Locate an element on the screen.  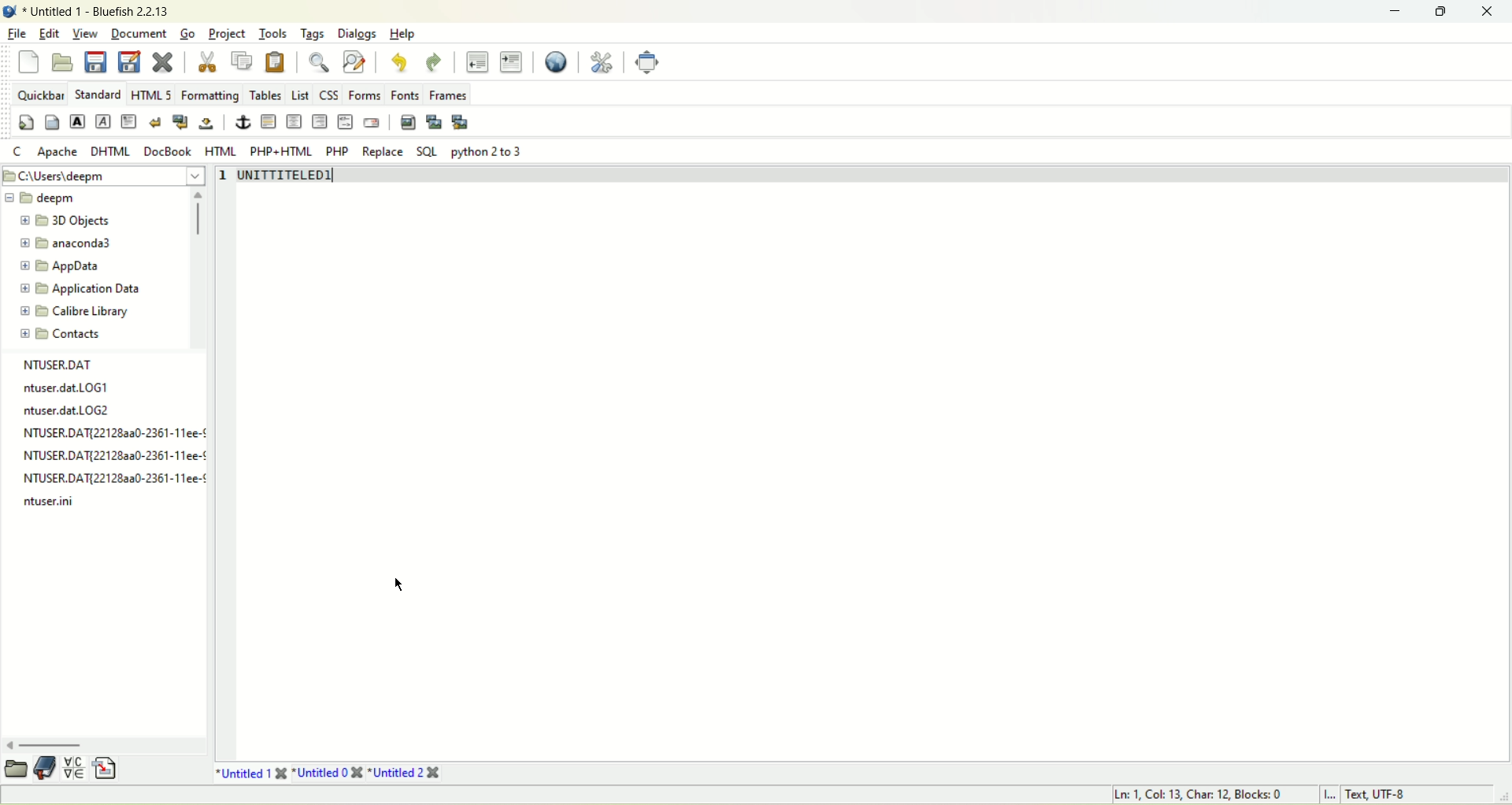
redo is located at coordinates (435, 61).